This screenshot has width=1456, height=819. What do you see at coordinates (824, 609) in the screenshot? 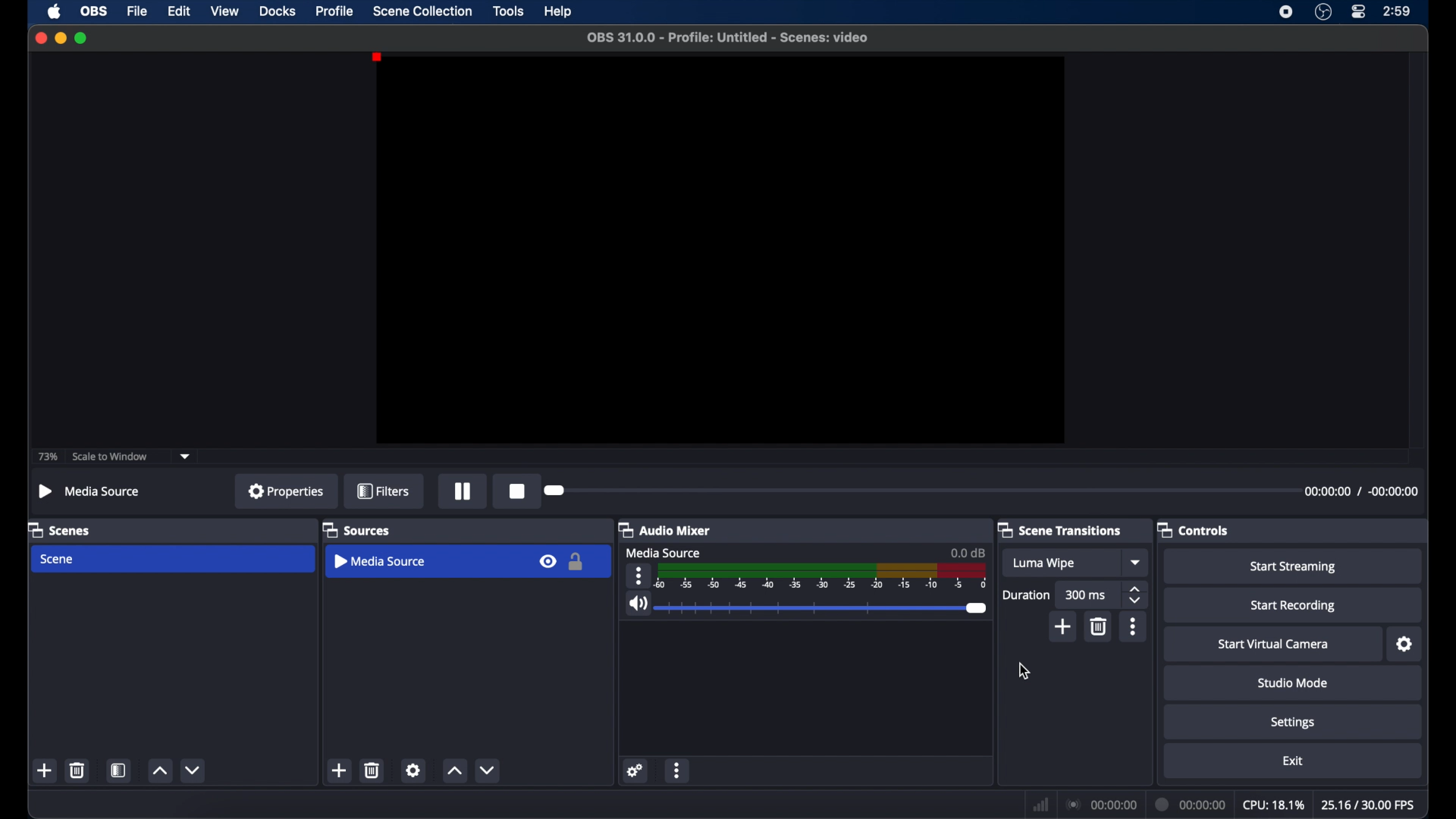
I see `slider` at bounding box center [824, 609].